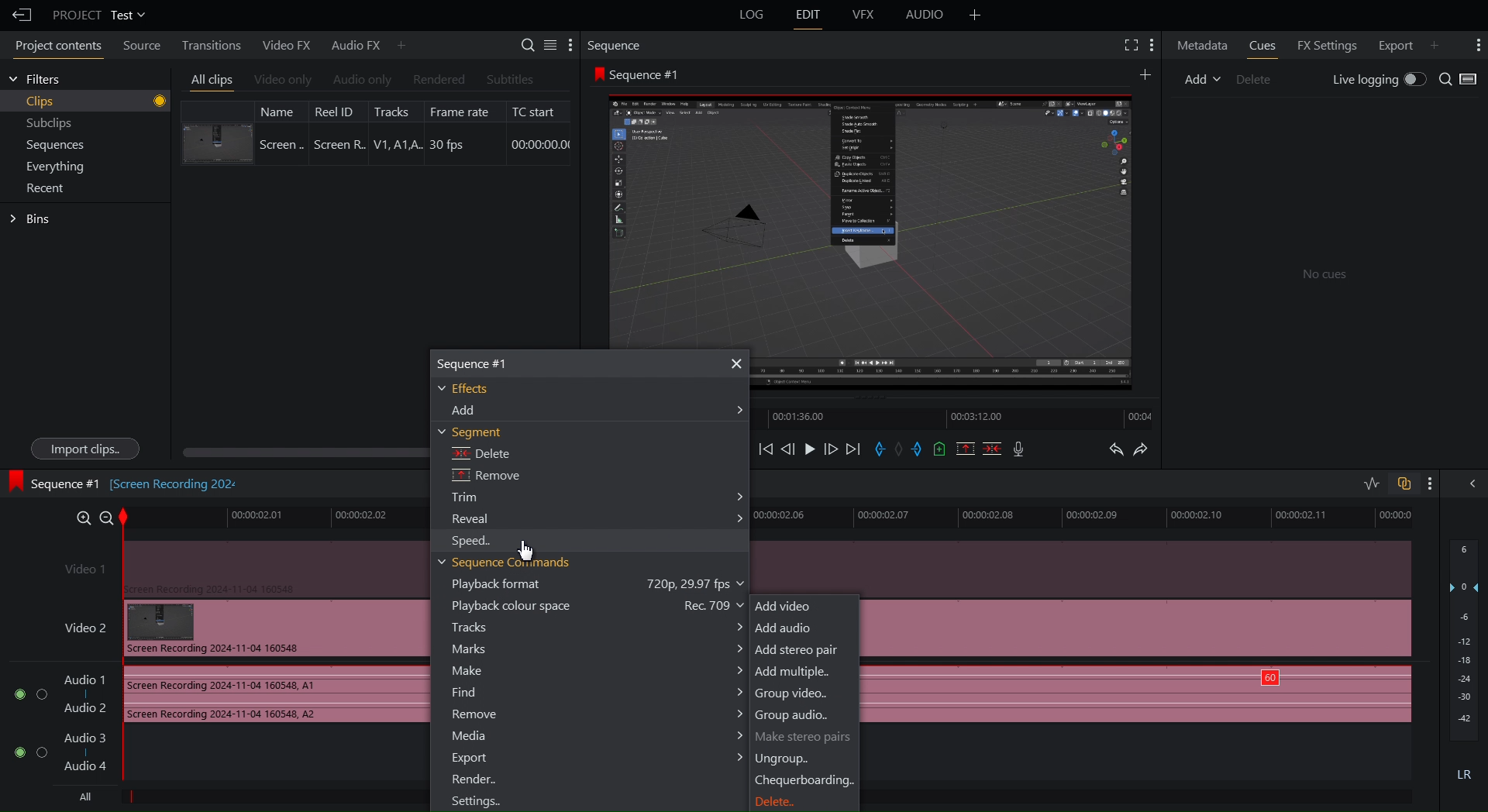 Image resolution: width=1488 pixels, height=812 pixels. Describe the element at coordinates (460, 389) in the screenshot. I see `Effects ` at that location.